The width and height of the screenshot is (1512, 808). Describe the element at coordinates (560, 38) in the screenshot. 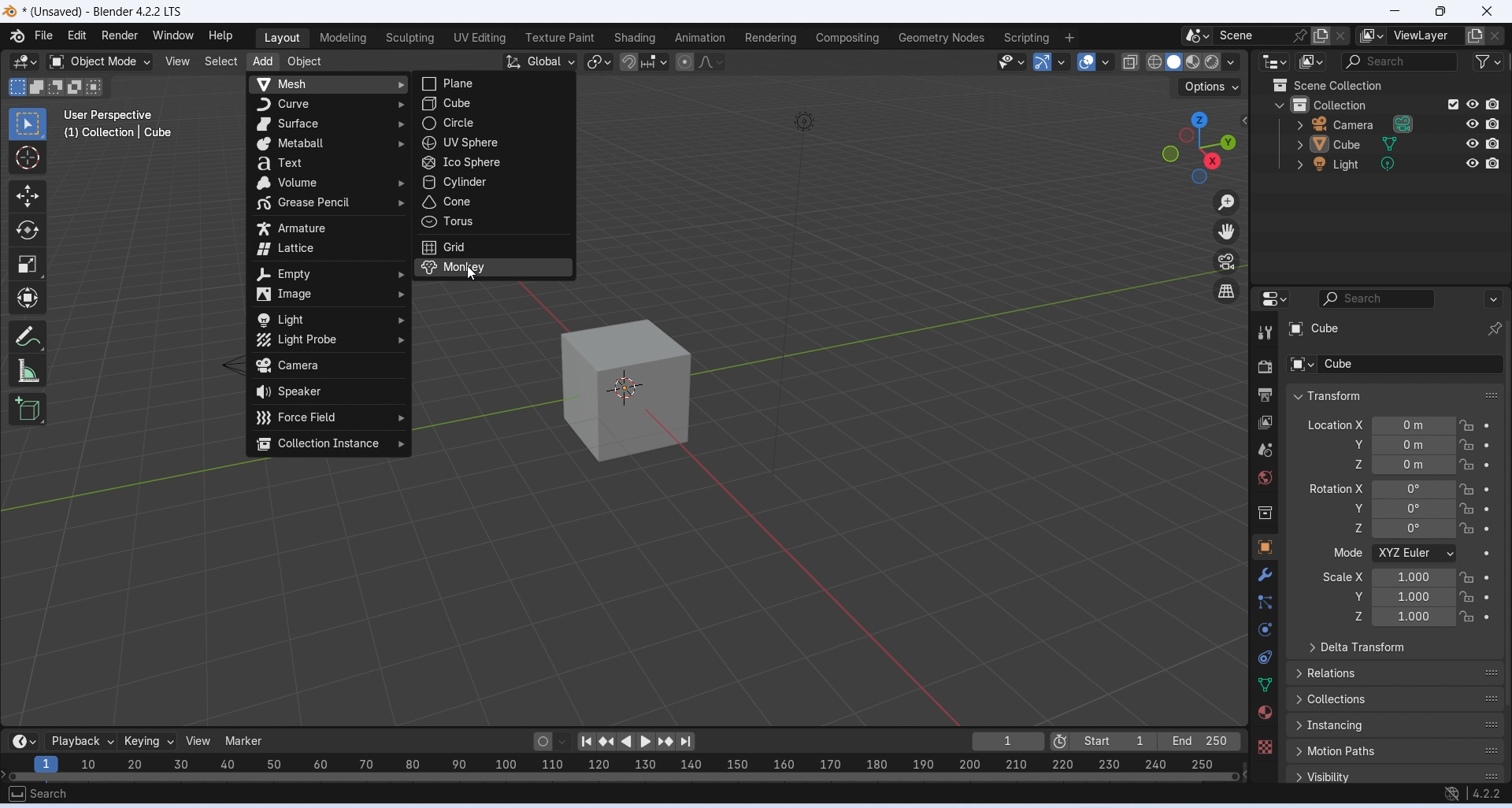

I see `Texture paint` at that location.